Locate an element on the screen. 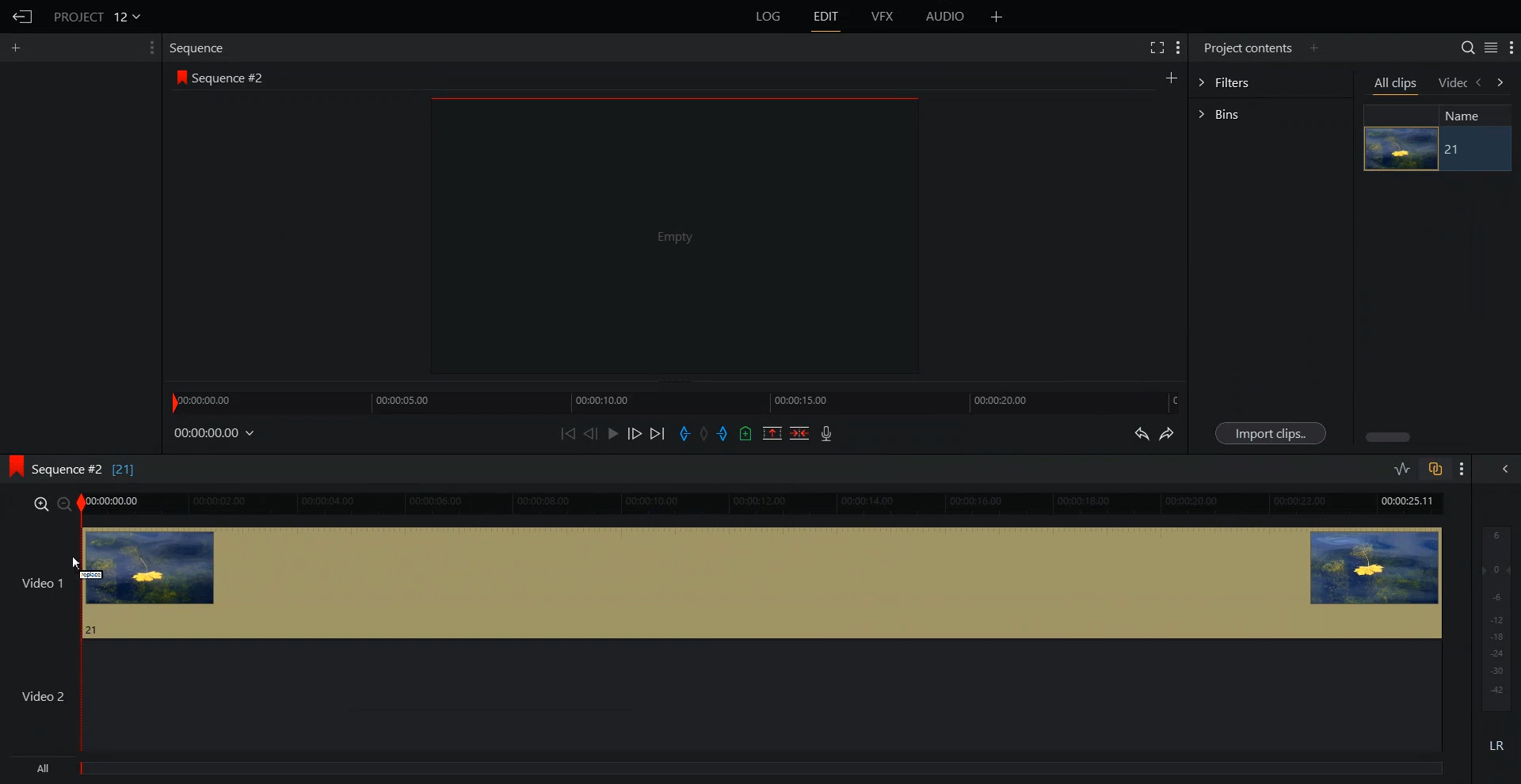  Show Setting Menu is located at coordinates (1460, 470).